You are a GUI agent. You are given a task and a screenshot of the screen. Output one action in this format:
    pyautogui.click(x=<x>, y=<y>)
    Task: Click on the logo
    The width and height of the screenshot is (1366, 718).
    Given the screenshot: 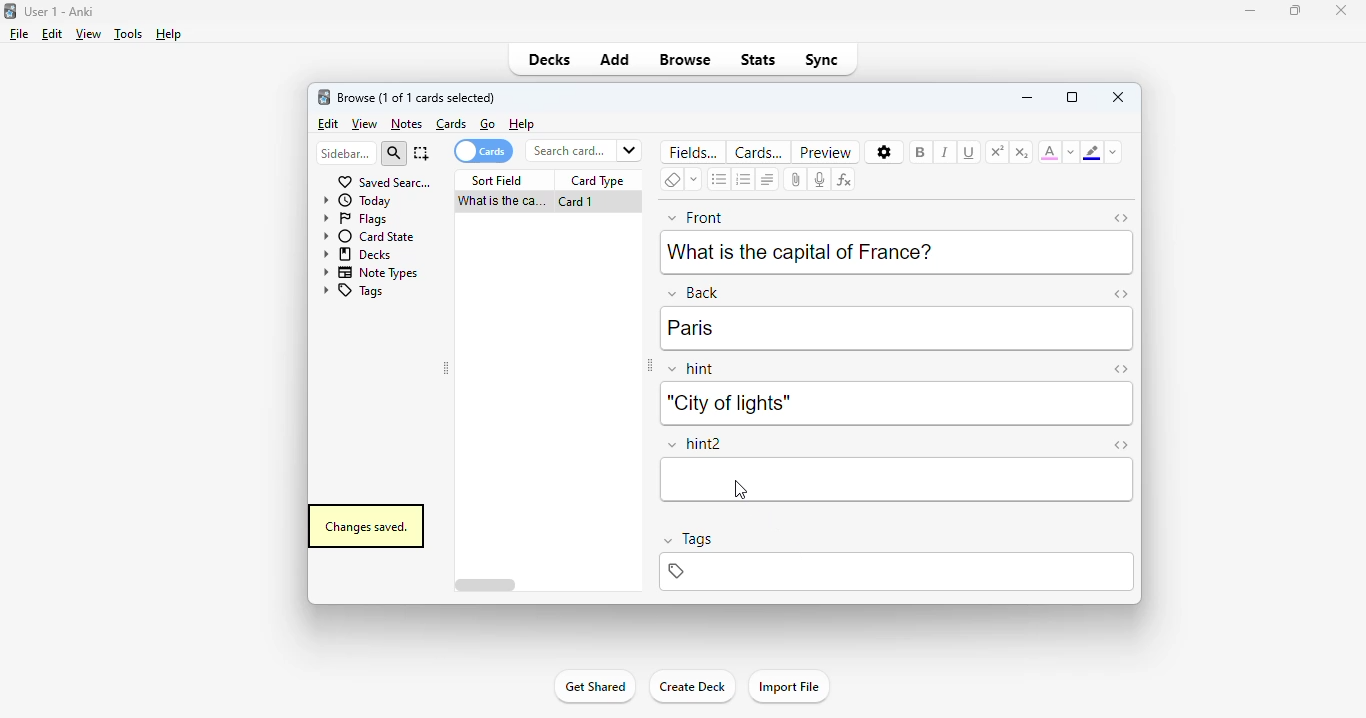 What is the action you would take?
    pyautogui.click(x=9, y=10)
    